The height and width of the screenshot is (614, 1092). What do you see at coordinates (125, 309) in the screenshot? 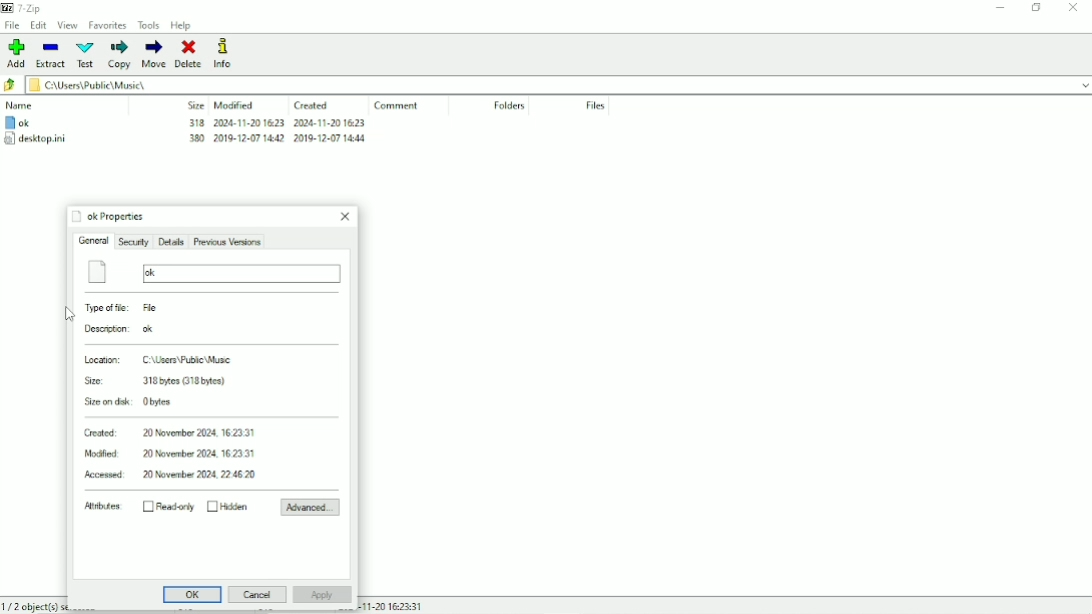
I see `Type of file` at bounding box center [125, 309].